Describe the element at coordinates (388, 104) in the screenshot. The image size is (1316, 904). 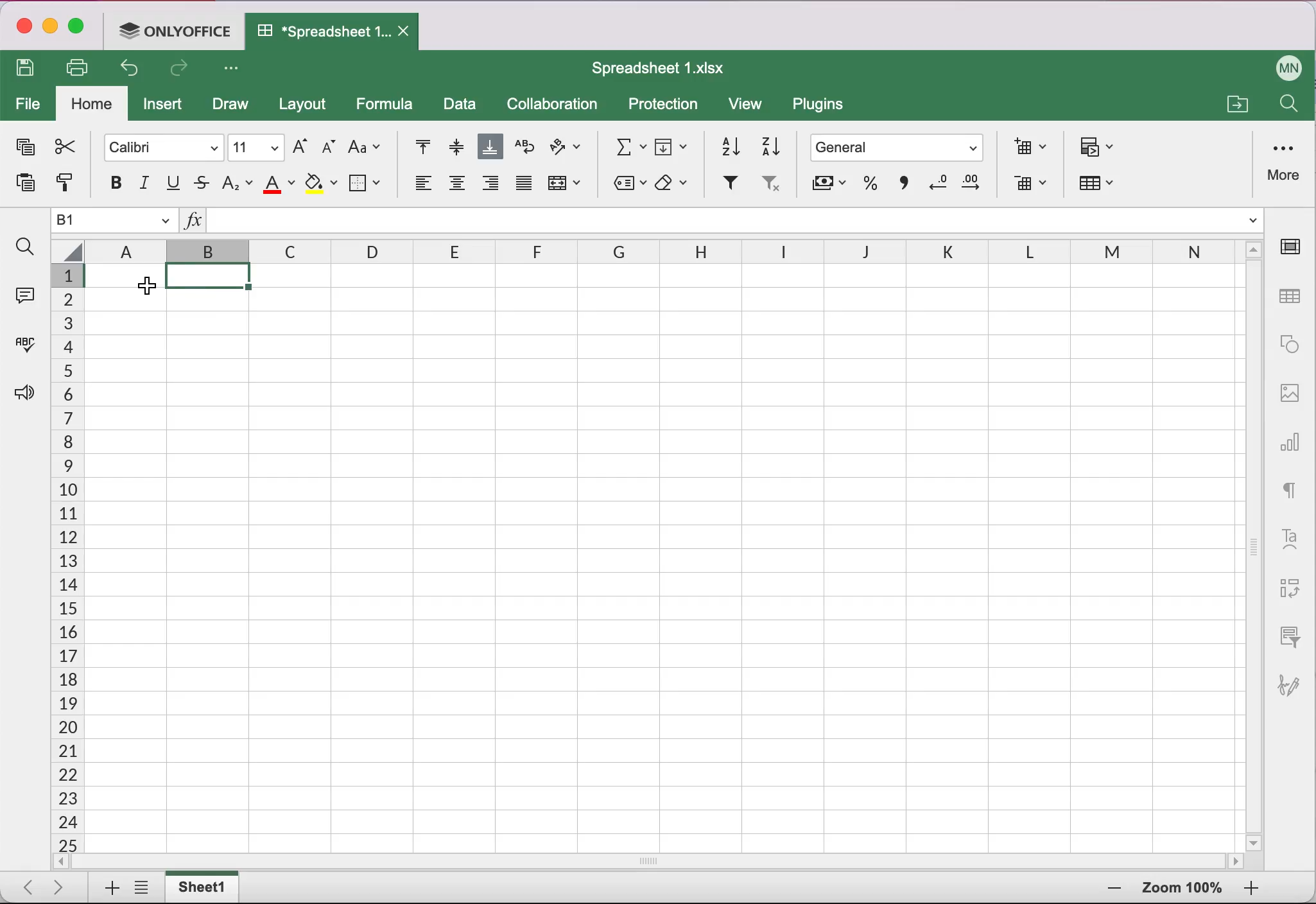
I see `formula` at that location.